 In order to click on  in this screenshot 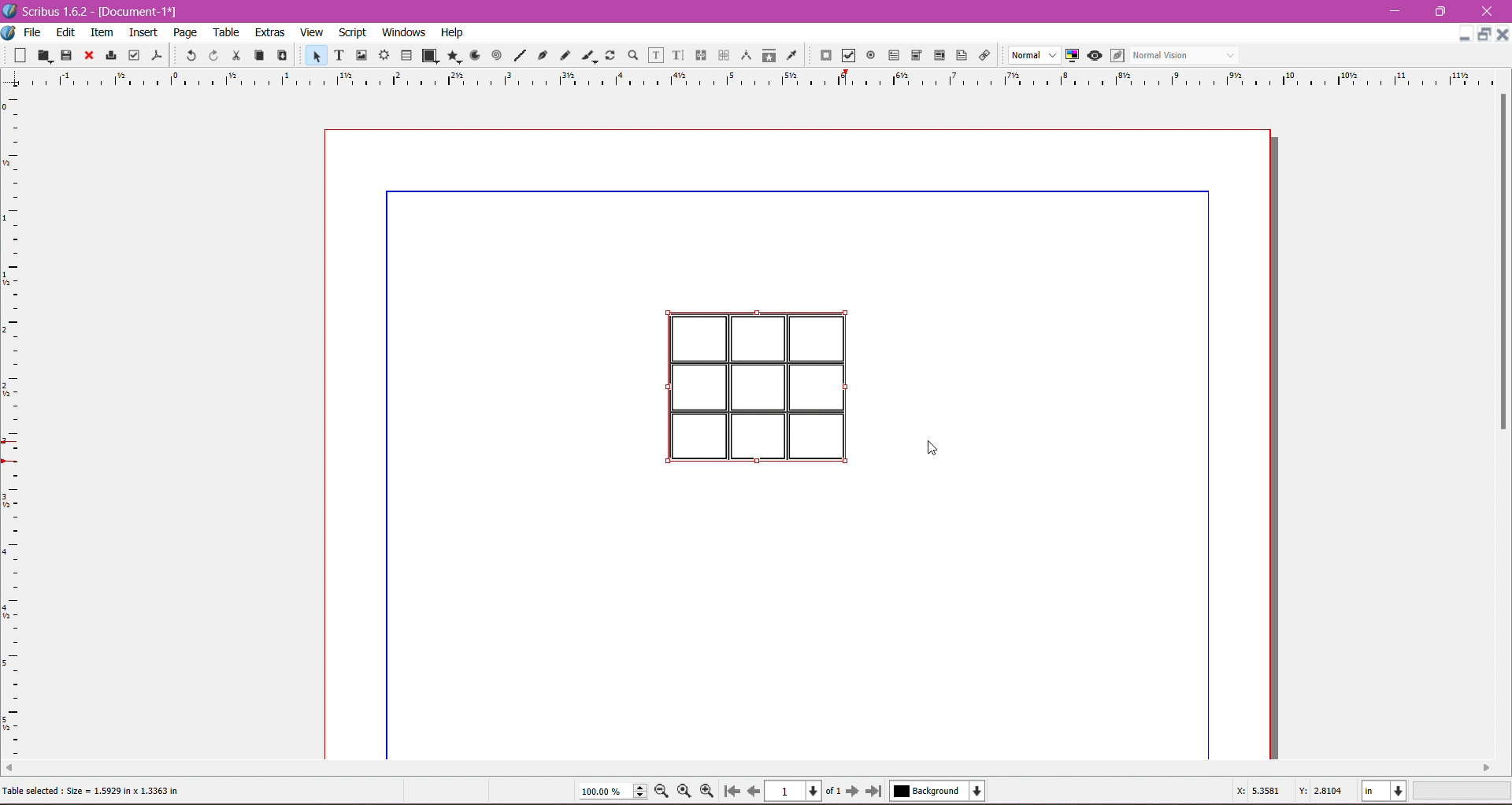, I will do `click(352, 32)`.